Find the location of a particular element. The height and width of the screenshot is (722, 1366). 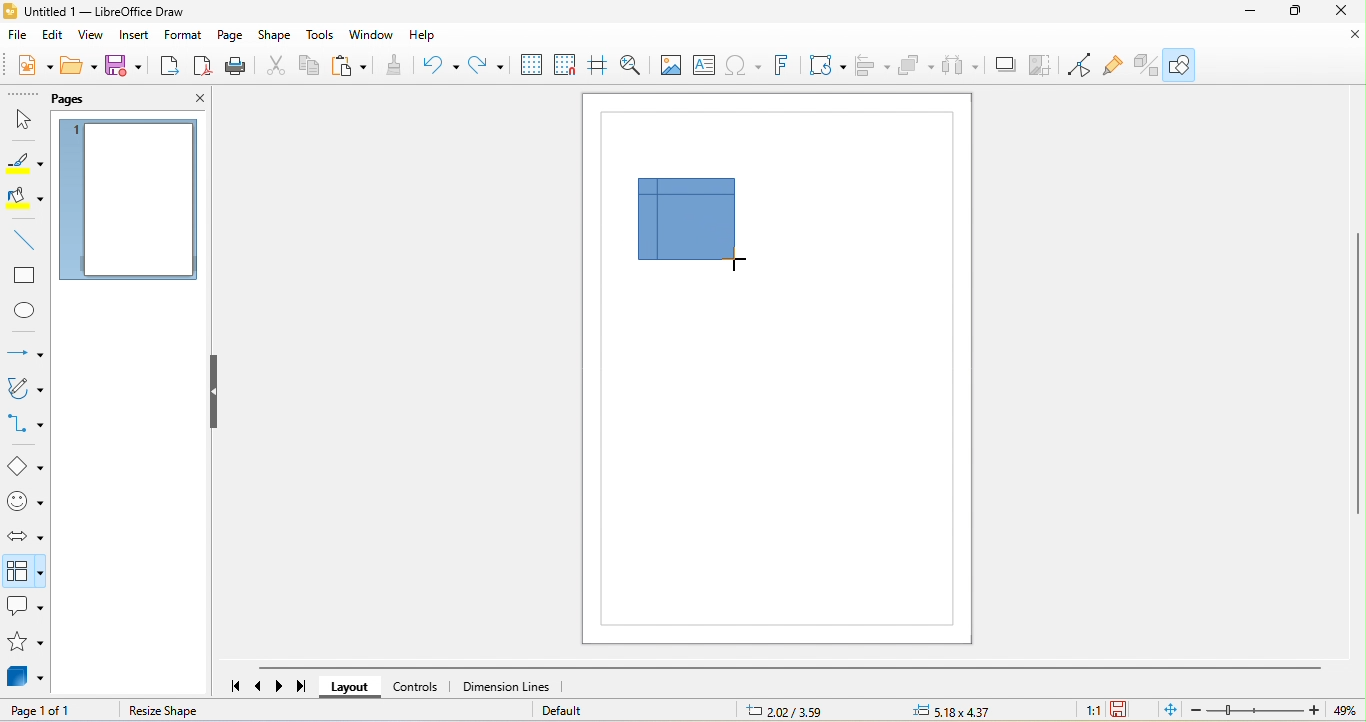

paste is located at coordinates (352, 68).